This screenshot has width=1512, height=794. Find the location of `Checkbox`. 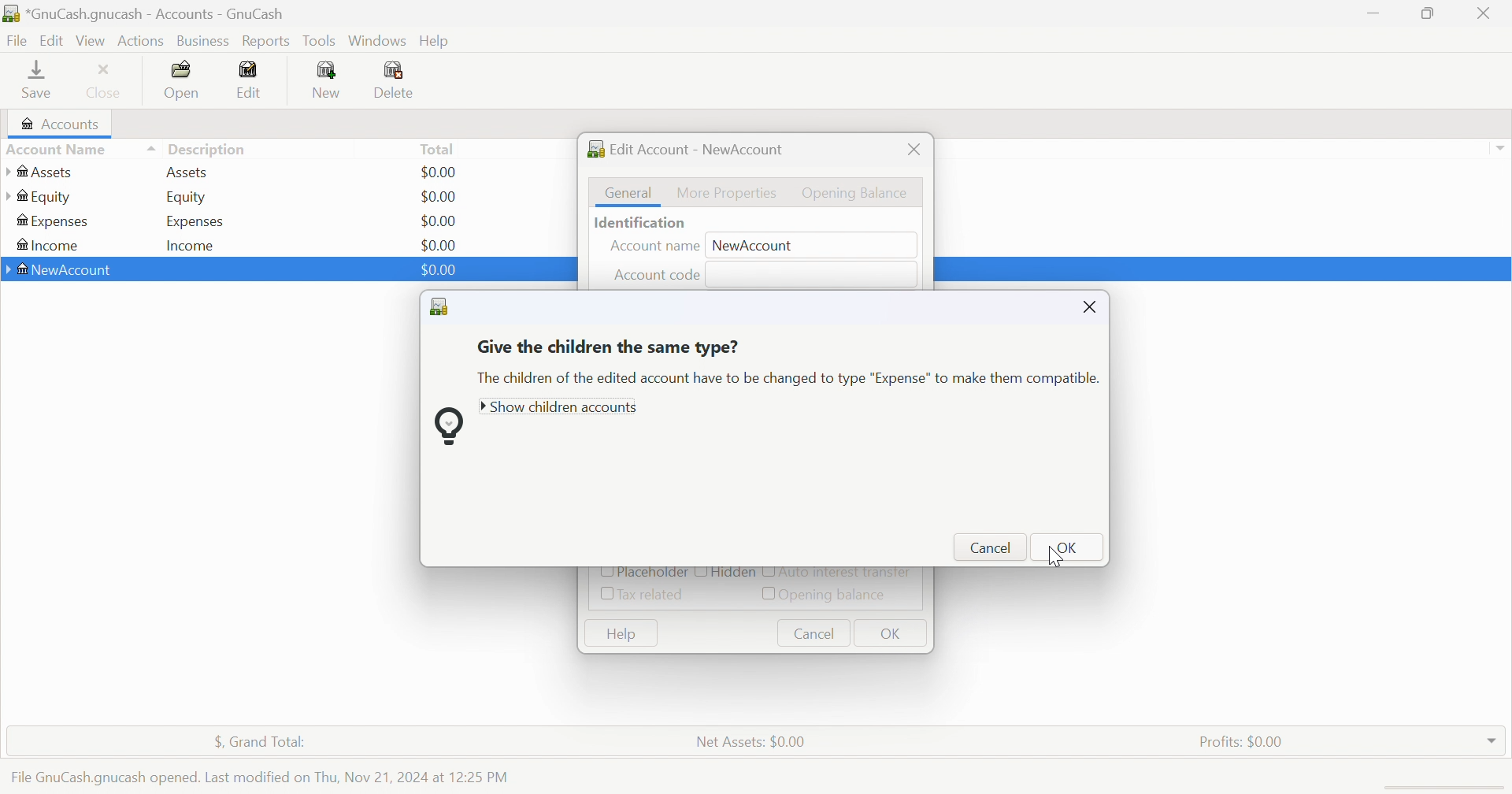

Checkbox is located at coordinates (599, 572).